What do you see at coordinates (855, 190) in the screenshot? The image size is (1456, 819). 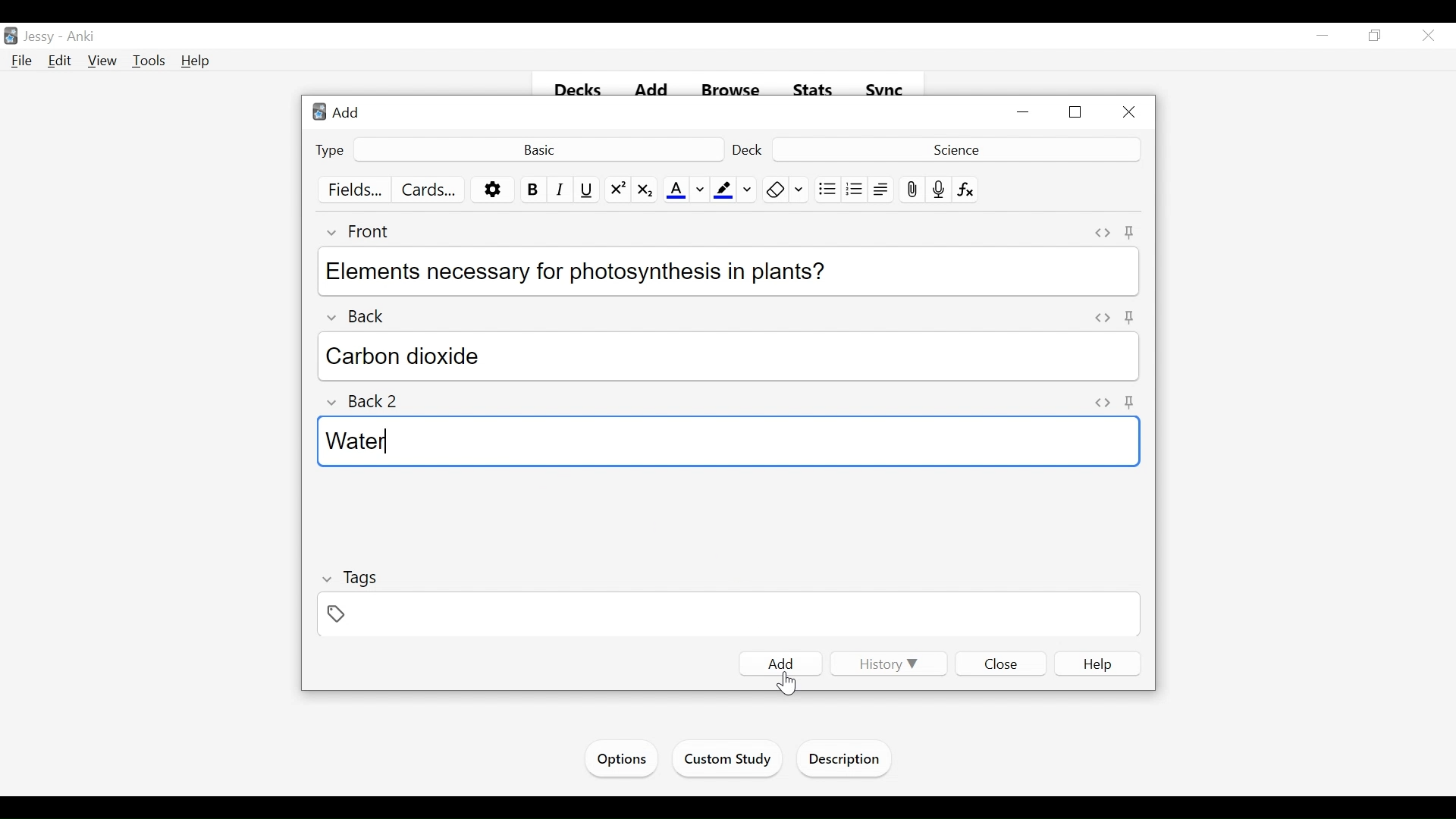 I see `Ordered list` at bounding box center [855, 190].